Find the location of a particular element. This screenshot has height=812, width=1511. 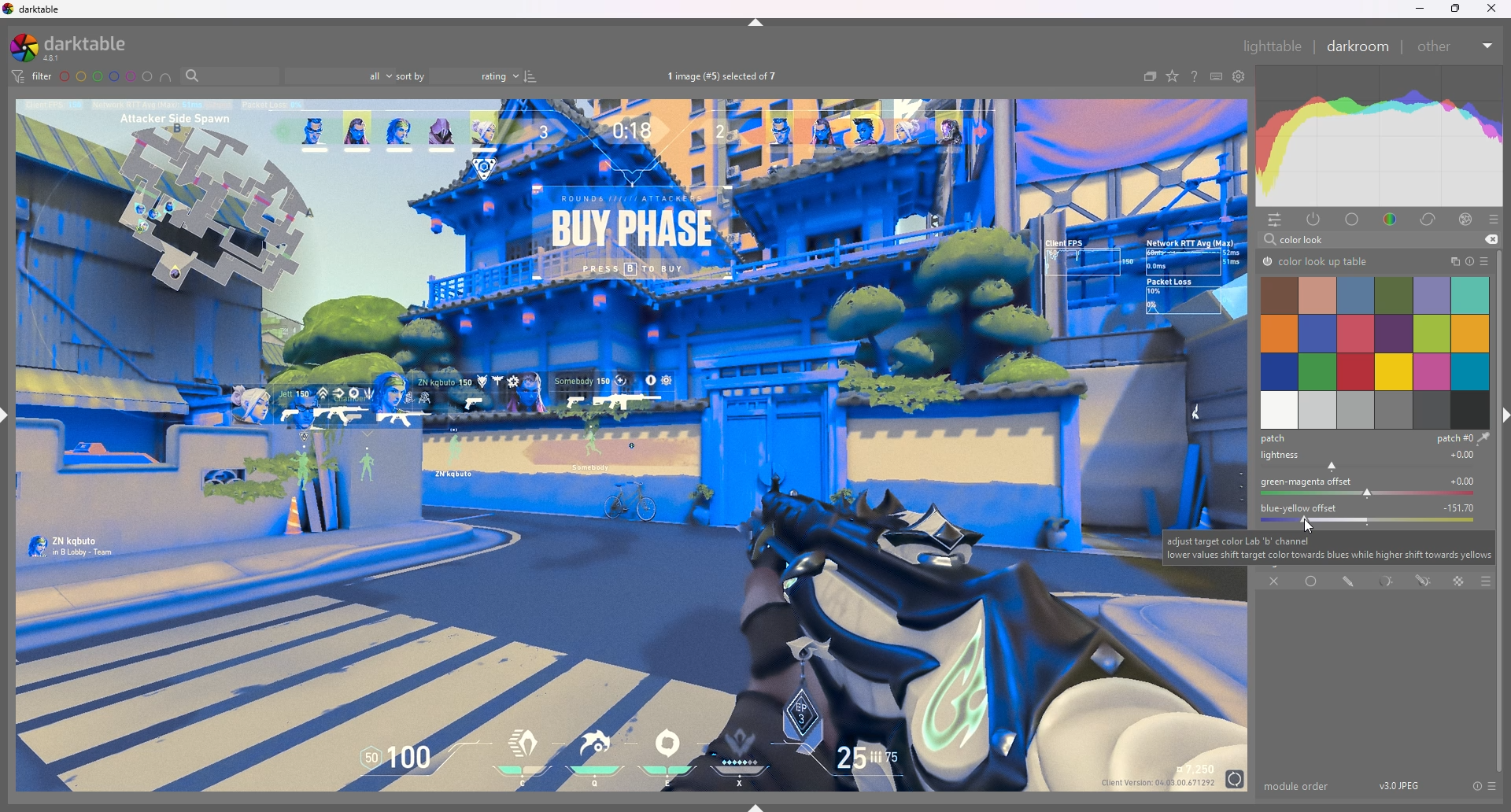

minimize is located at coordinates (1420, 8).